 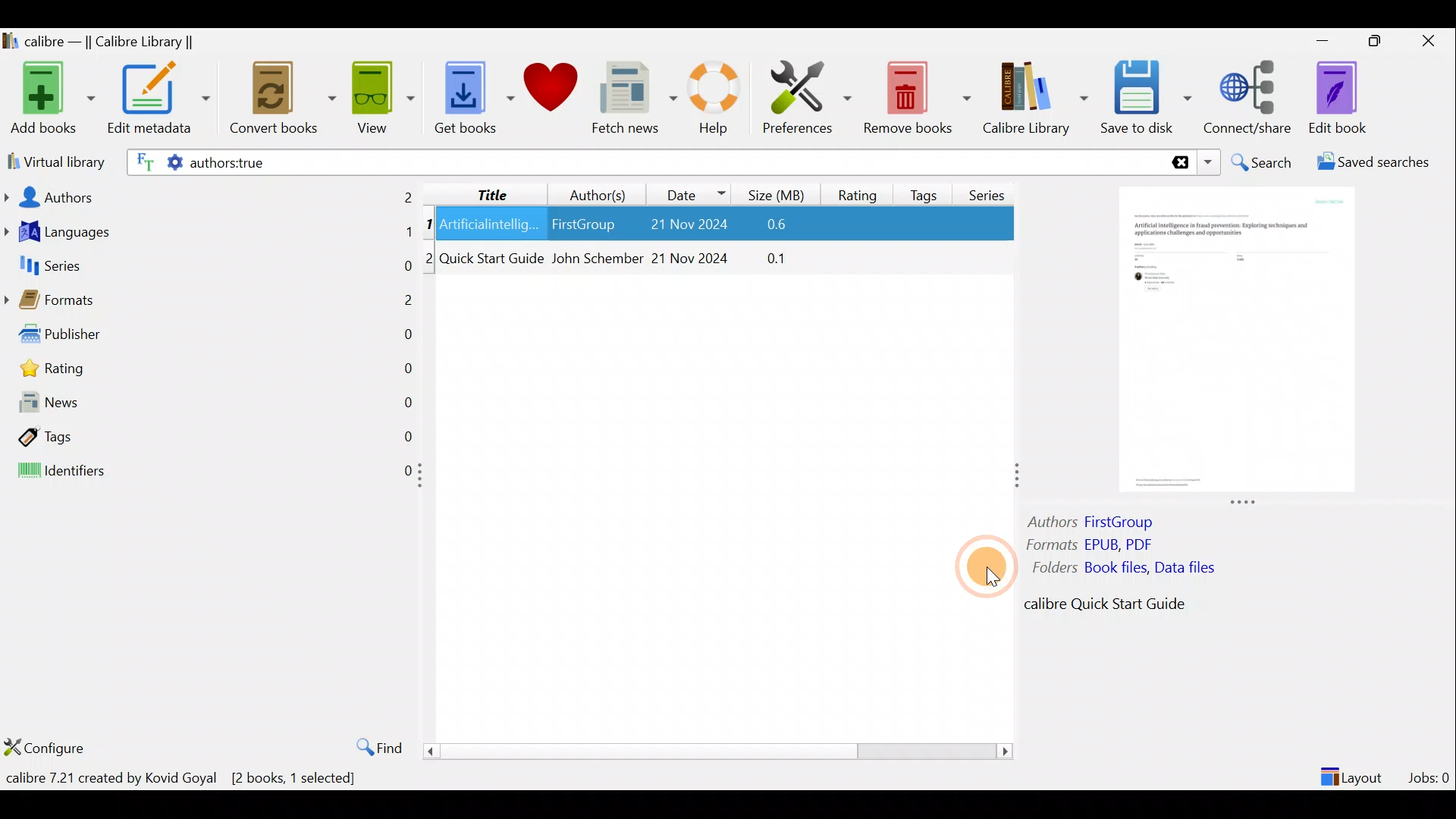 I want to click on Authors, so click(x=210, y=196).